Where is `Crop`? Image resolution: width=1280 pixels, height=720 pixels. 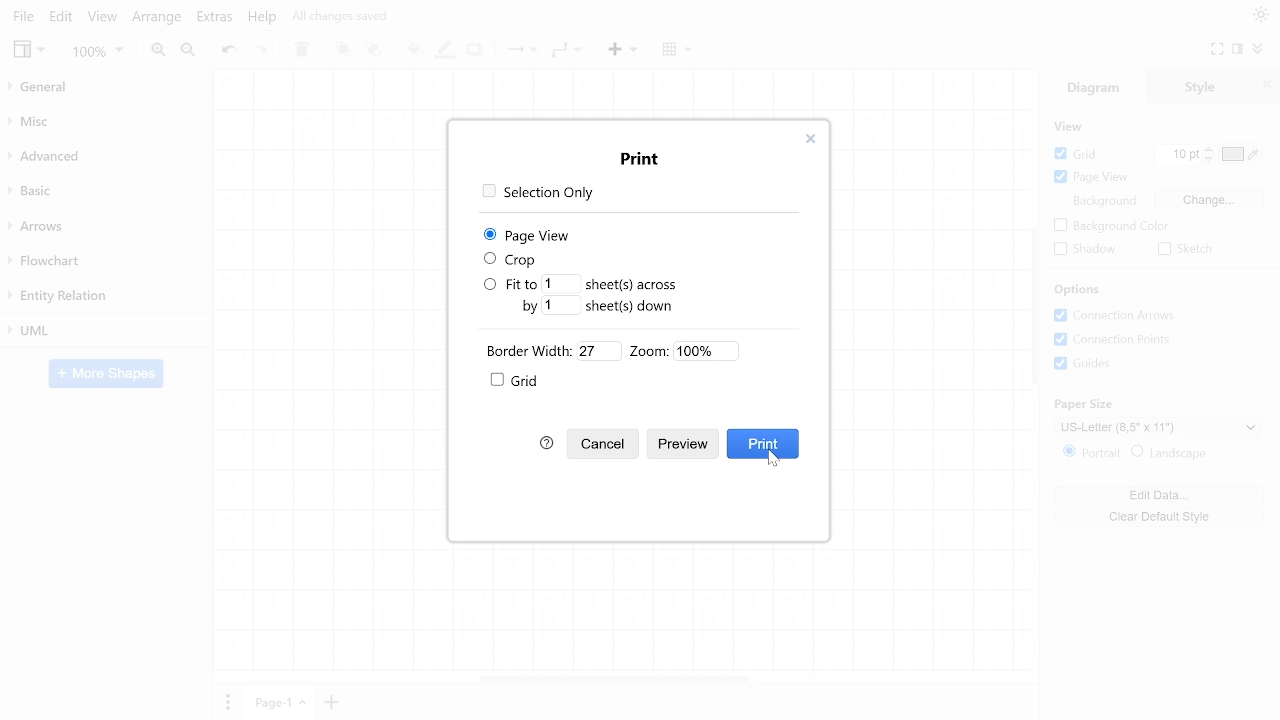 Crop is located at coordinates (512, 259).